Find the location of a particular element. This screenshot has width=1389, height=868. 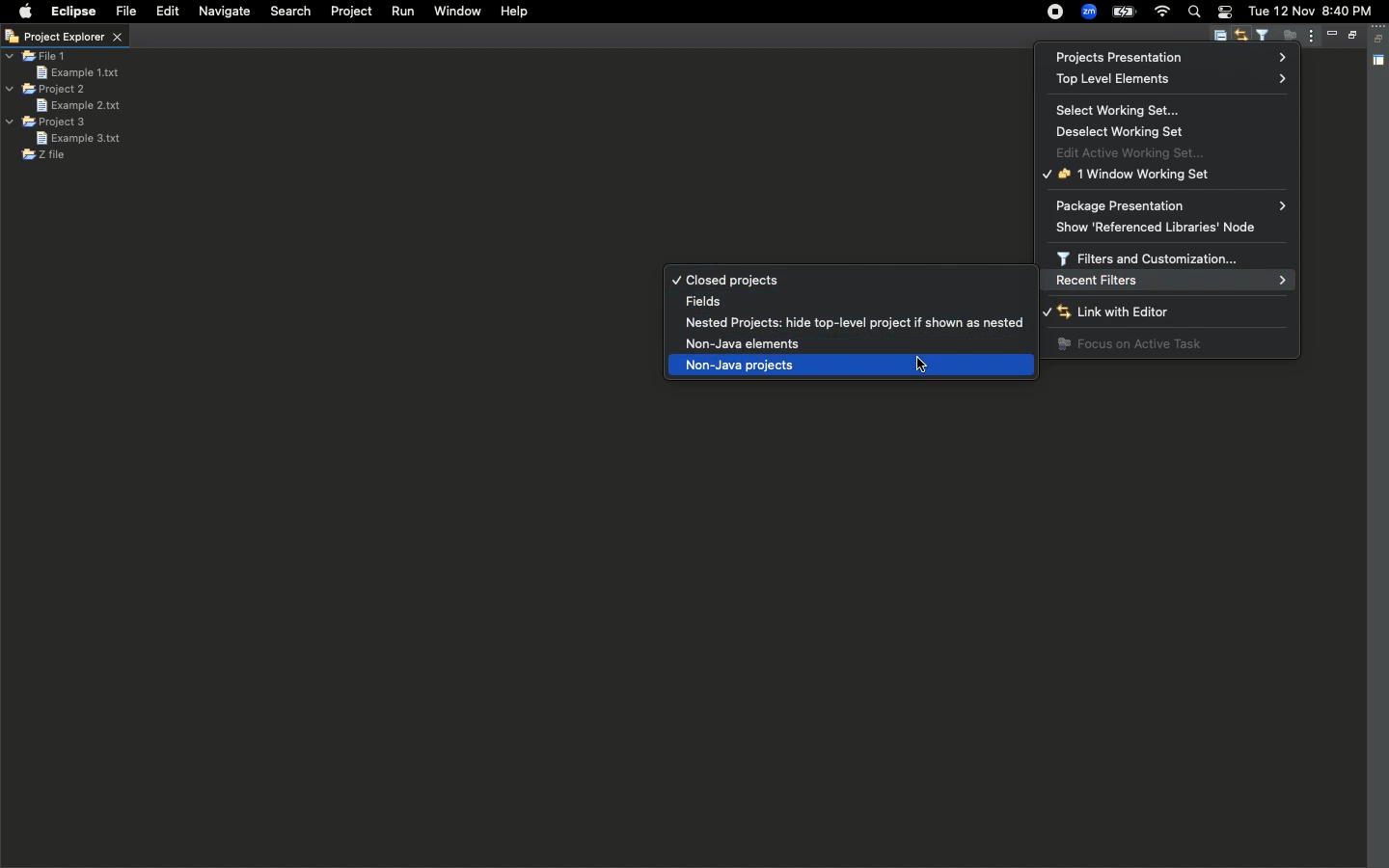

Project 3 is located at coordinates (48, 122).